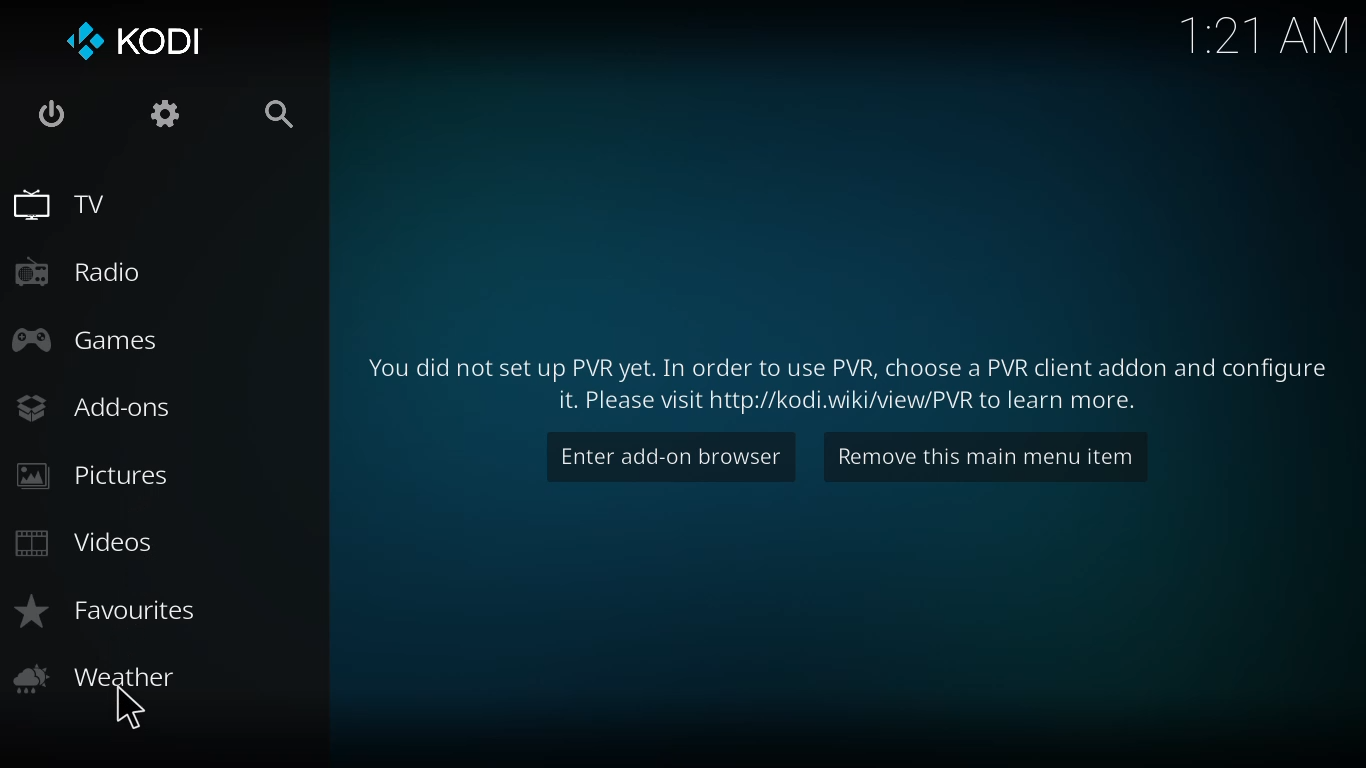  What do you see at coordinates (132, 40) in the screenshot?
I see `kodi` at bounding box center [132, 40].